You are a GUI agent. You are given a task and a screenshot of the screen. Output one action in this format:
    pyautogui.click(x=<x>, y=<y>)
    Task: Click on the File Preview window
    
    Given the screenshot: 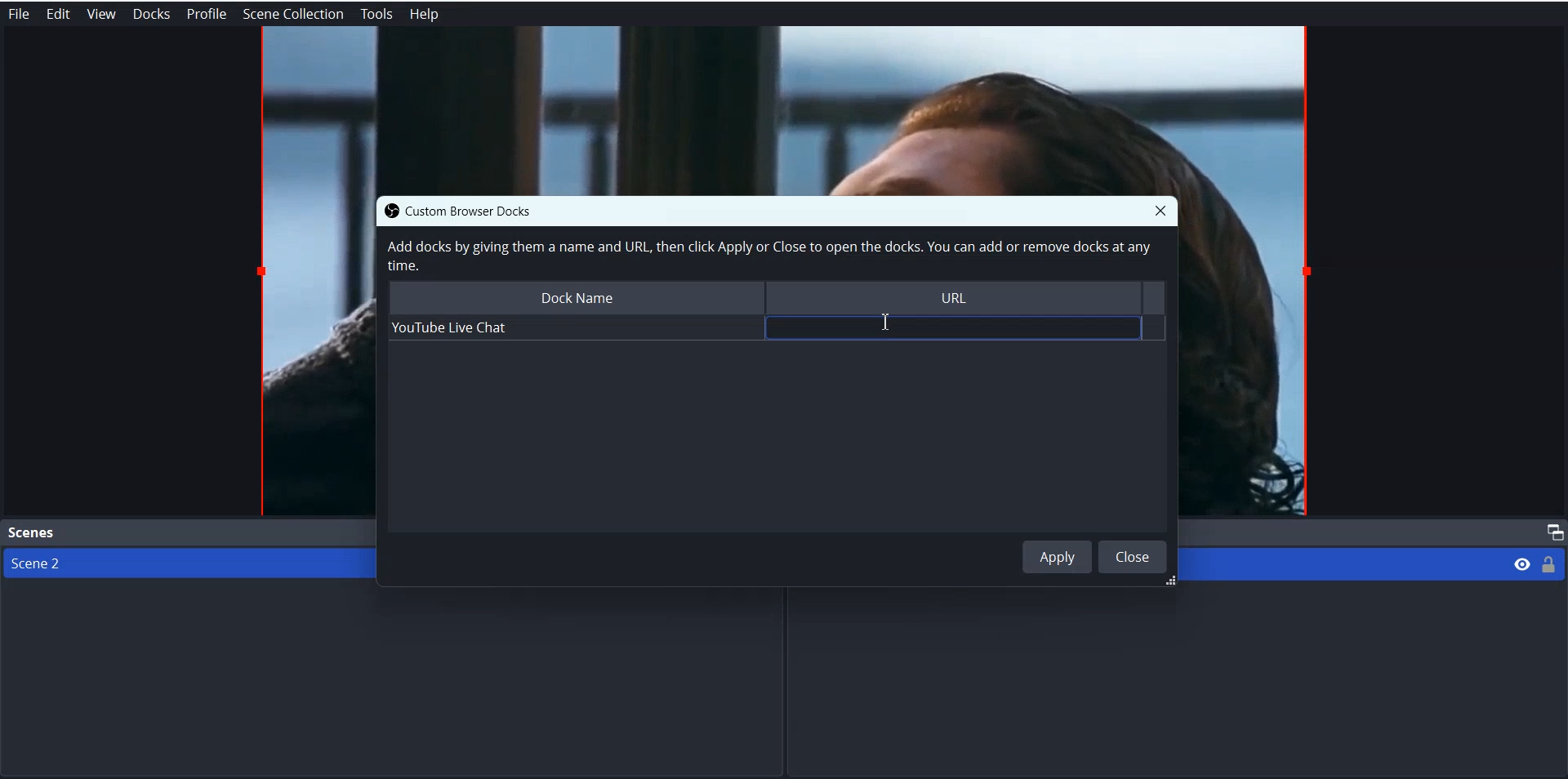 What is the action you would take?
    pyautogui.click(x=314, y=355)
    